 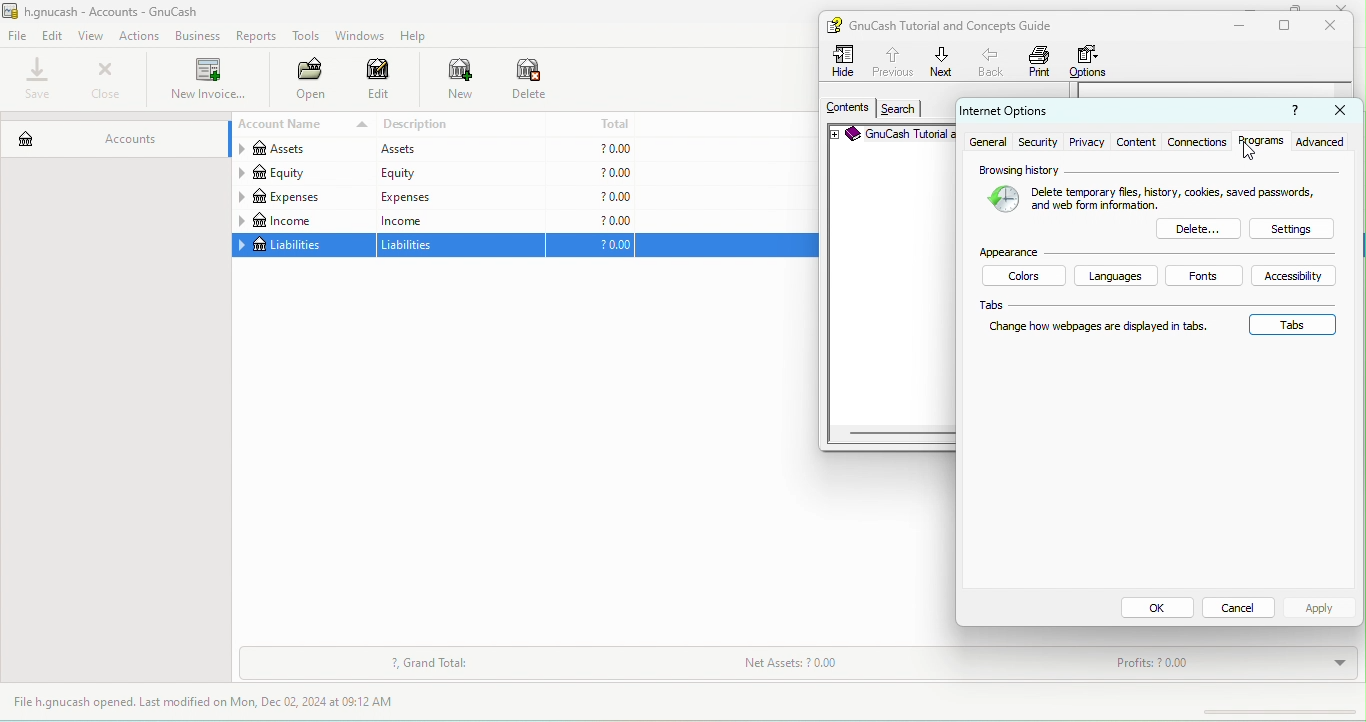 What do you see at coordinates (993, 61) in the screenshot?
I see `back` at bounding box center [993, 61].